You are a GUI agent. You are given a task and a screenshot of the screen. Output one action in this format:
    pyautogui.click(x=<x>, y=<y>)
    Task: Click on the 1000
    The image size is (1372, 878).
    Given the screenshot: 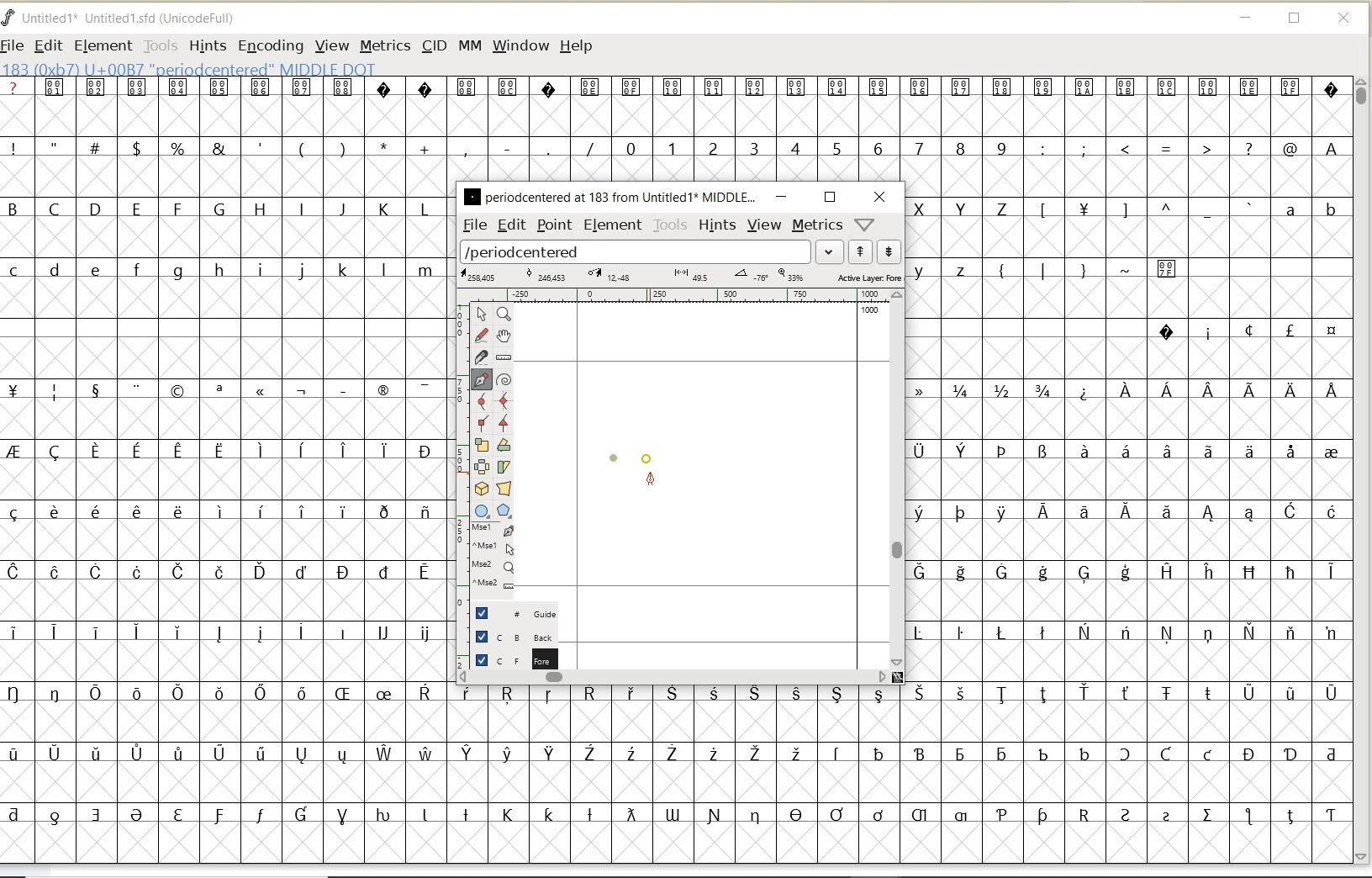 What is the action you would take?
    pyautogui.click(x=870, y=312)
    